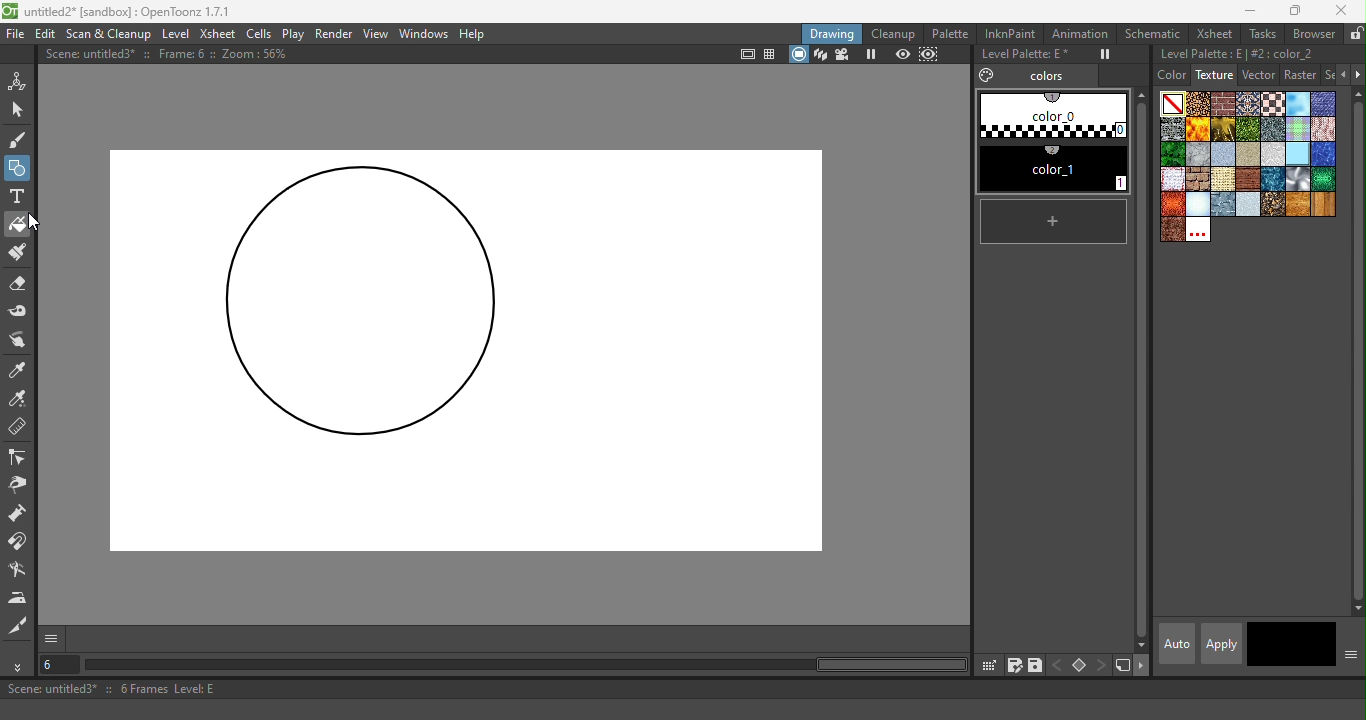  Describe the element at coordinates (168, 54) in the screenshot. I see `Scene: untitled3* :: Frame: 6 :: Zoom: 56%` at that location.